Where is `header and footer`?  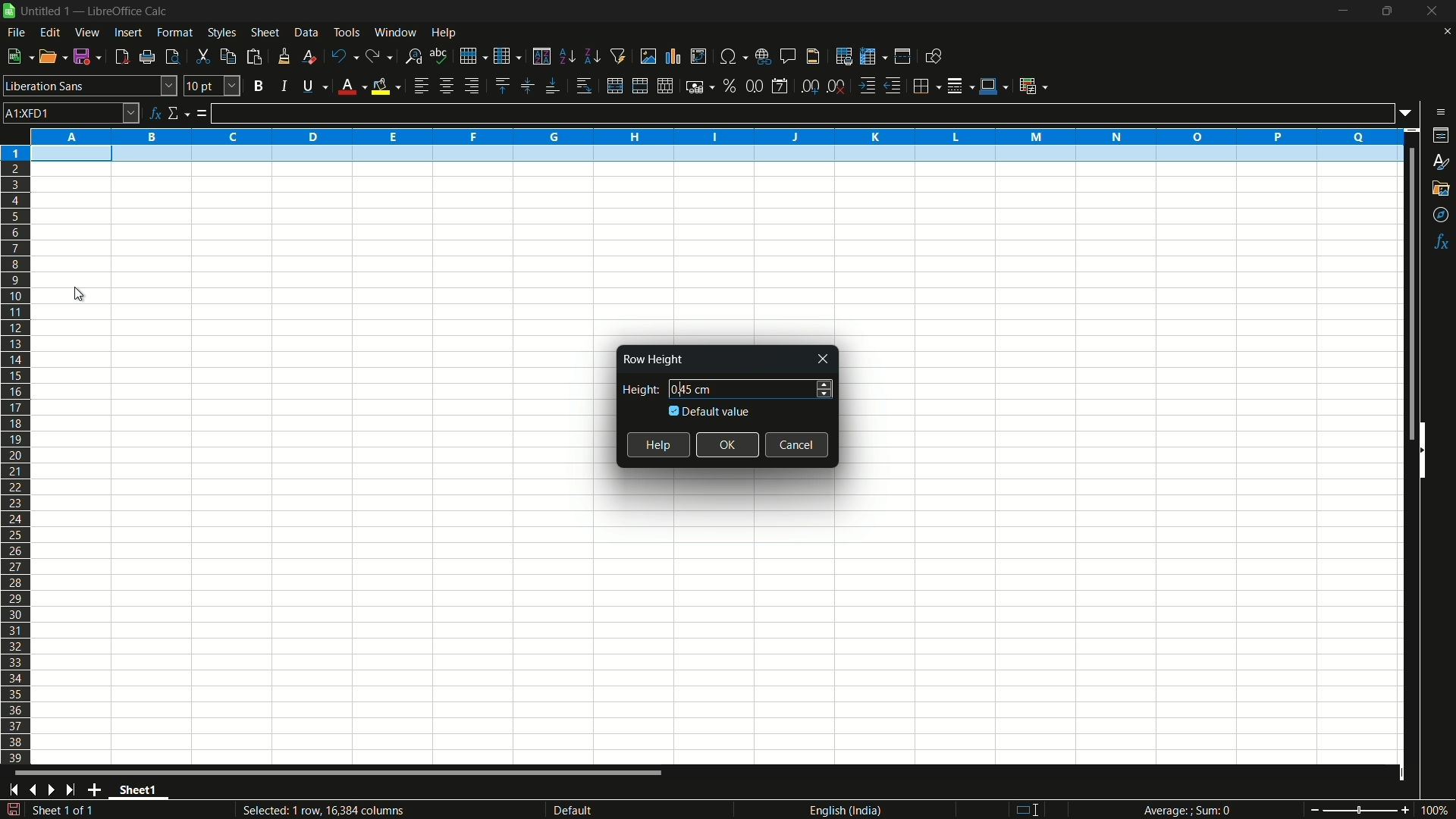
header and footer is located at coordinates (814, 57).